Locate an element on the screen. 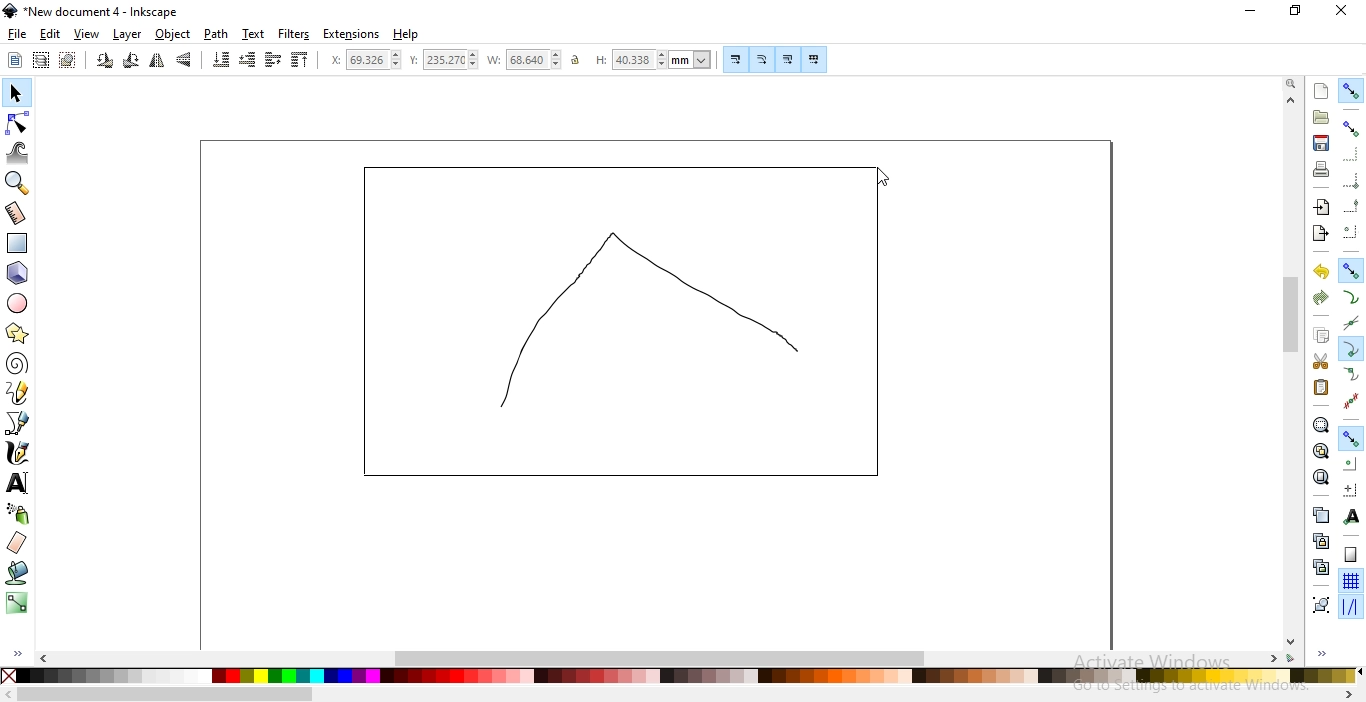  zoom is located at coordinates (1293, 82).